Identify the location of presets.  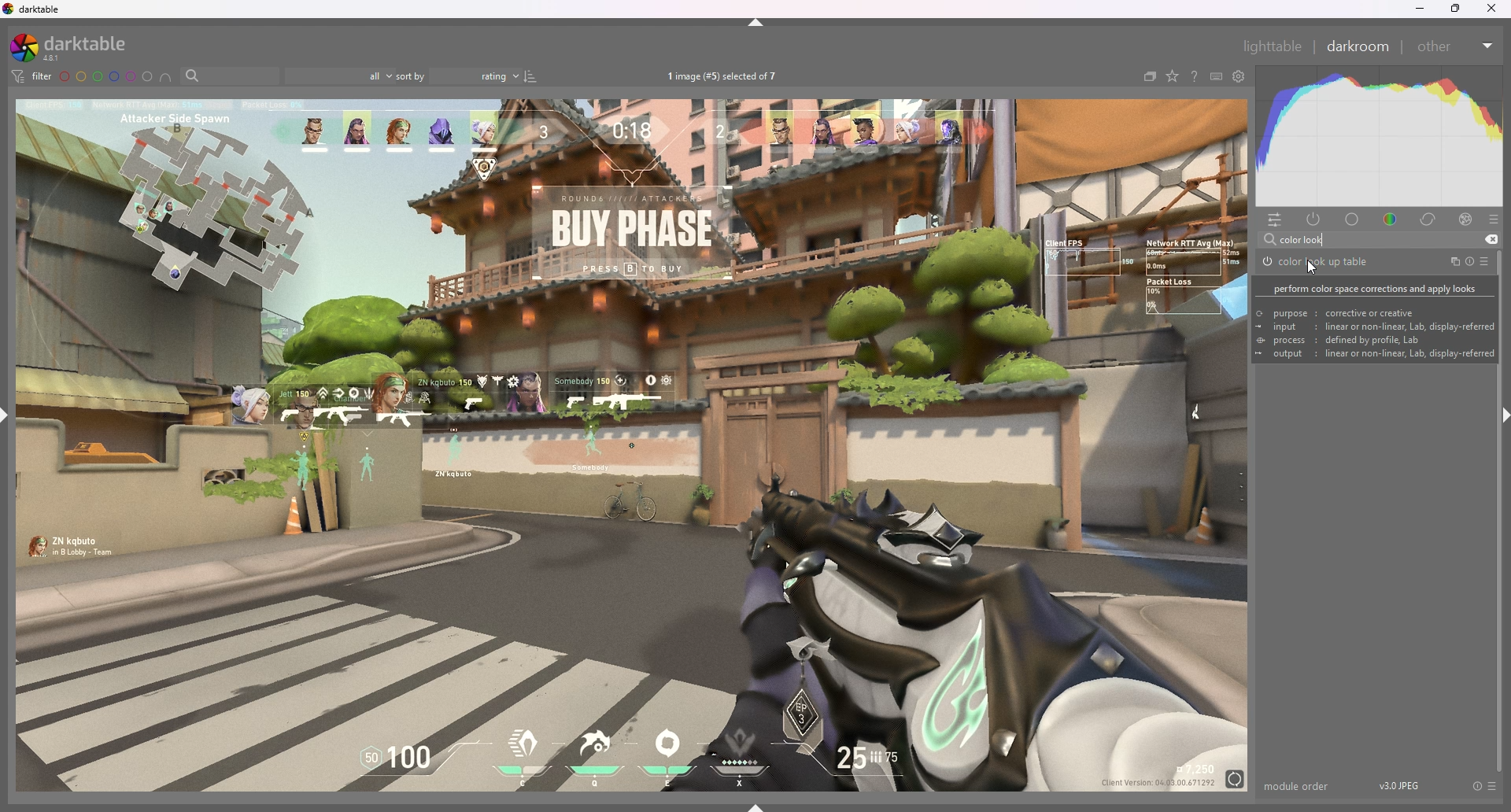
(1487, 260).